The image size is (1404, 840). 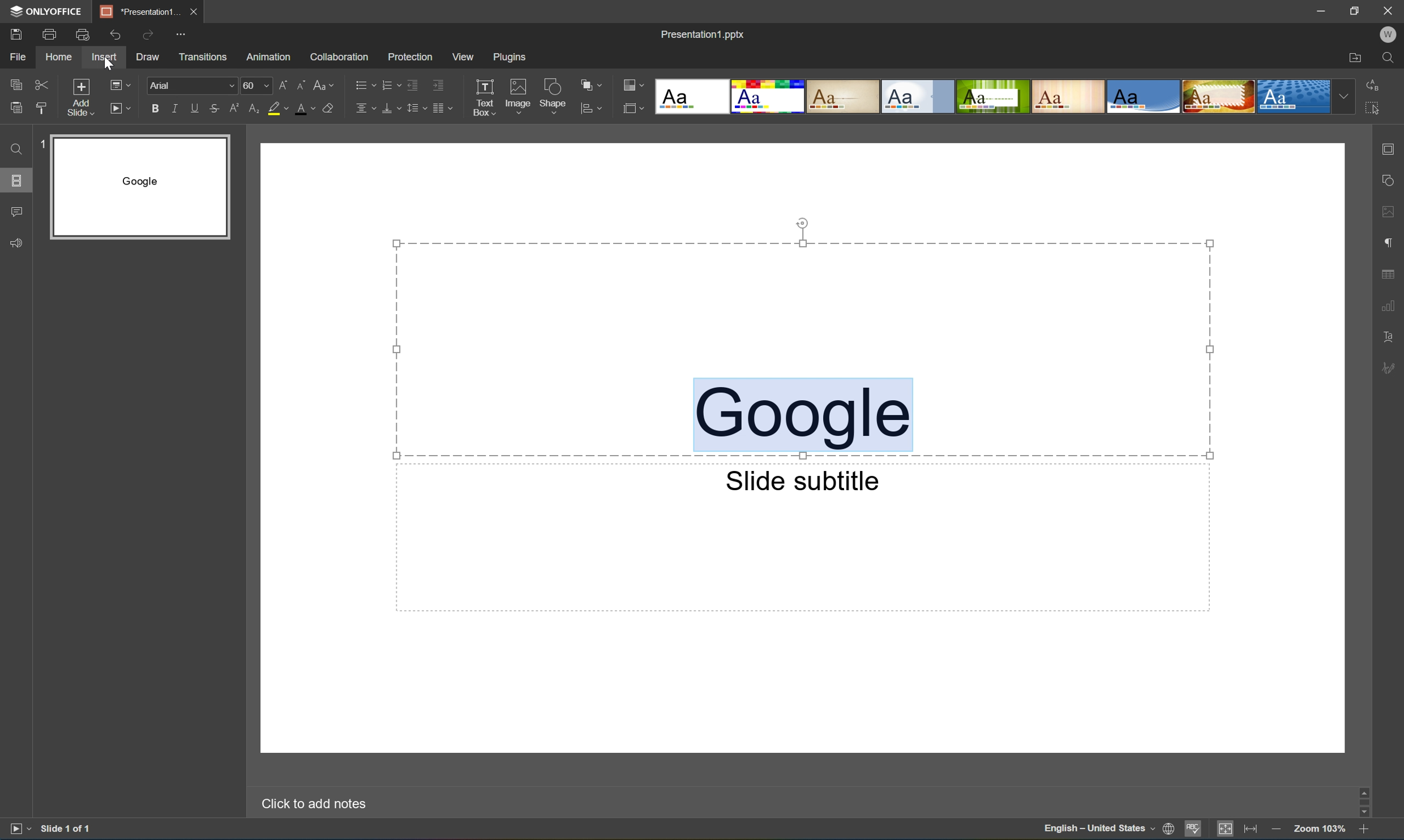 I want to click on Cut, so click(x=45, y=84).